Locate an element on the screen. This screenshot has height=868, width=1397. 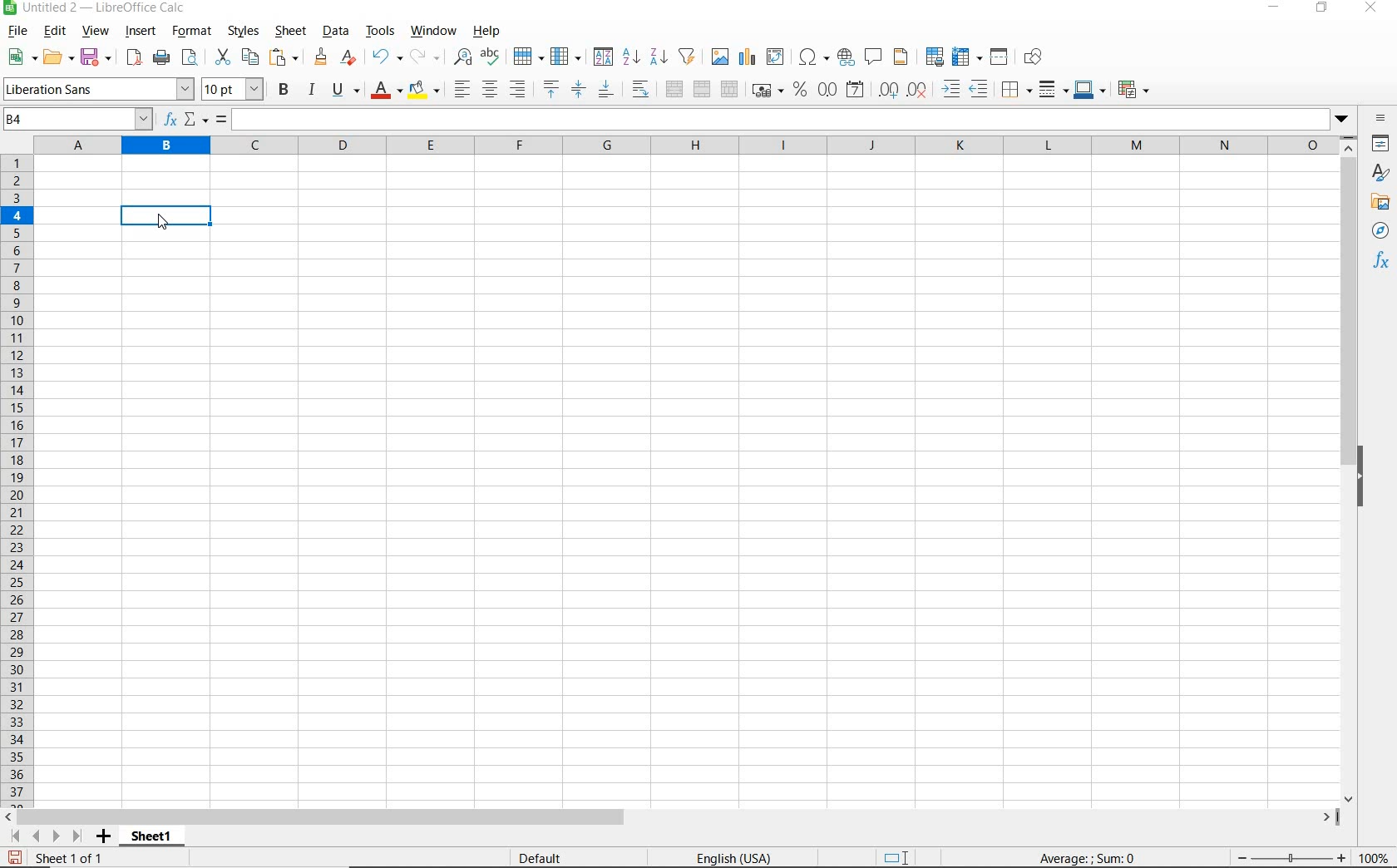
gallery is located at coordinates (1378, 203).